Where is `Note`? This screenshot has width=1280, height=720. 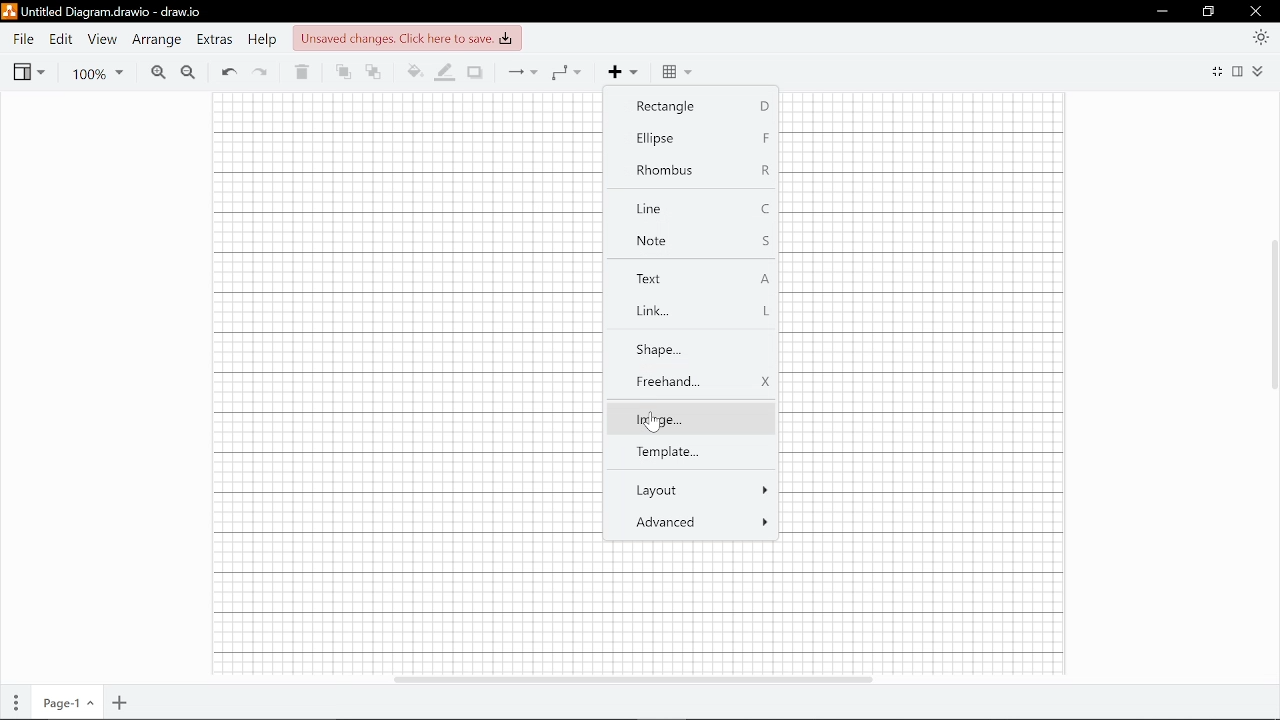
Note is located at coordinates (694, 240).